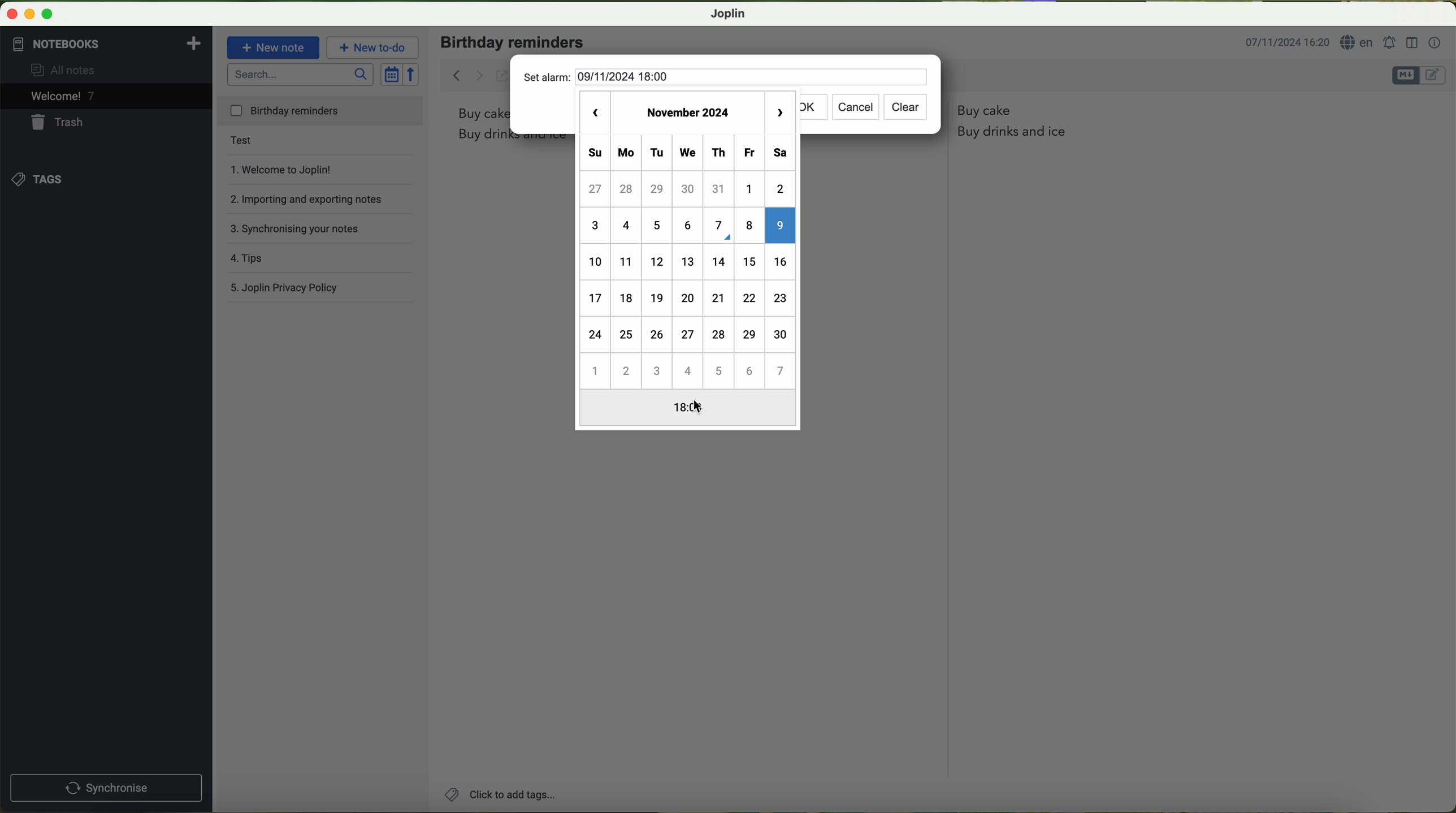  I want to click on search bar, so click(300, 76).